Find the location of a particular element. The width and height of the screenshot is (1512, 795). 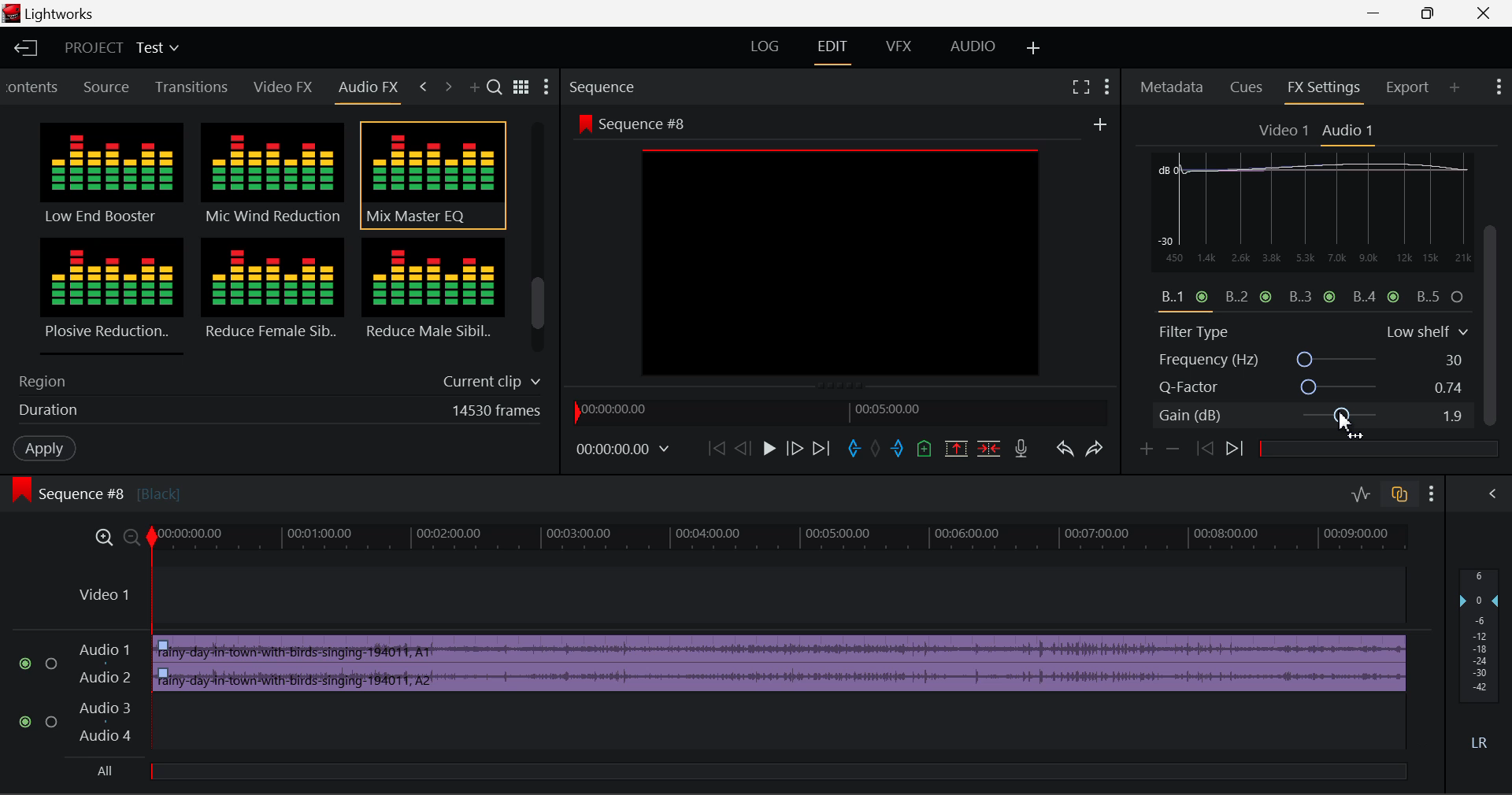

Record Voiceover is located at coordinates (1020, 449).